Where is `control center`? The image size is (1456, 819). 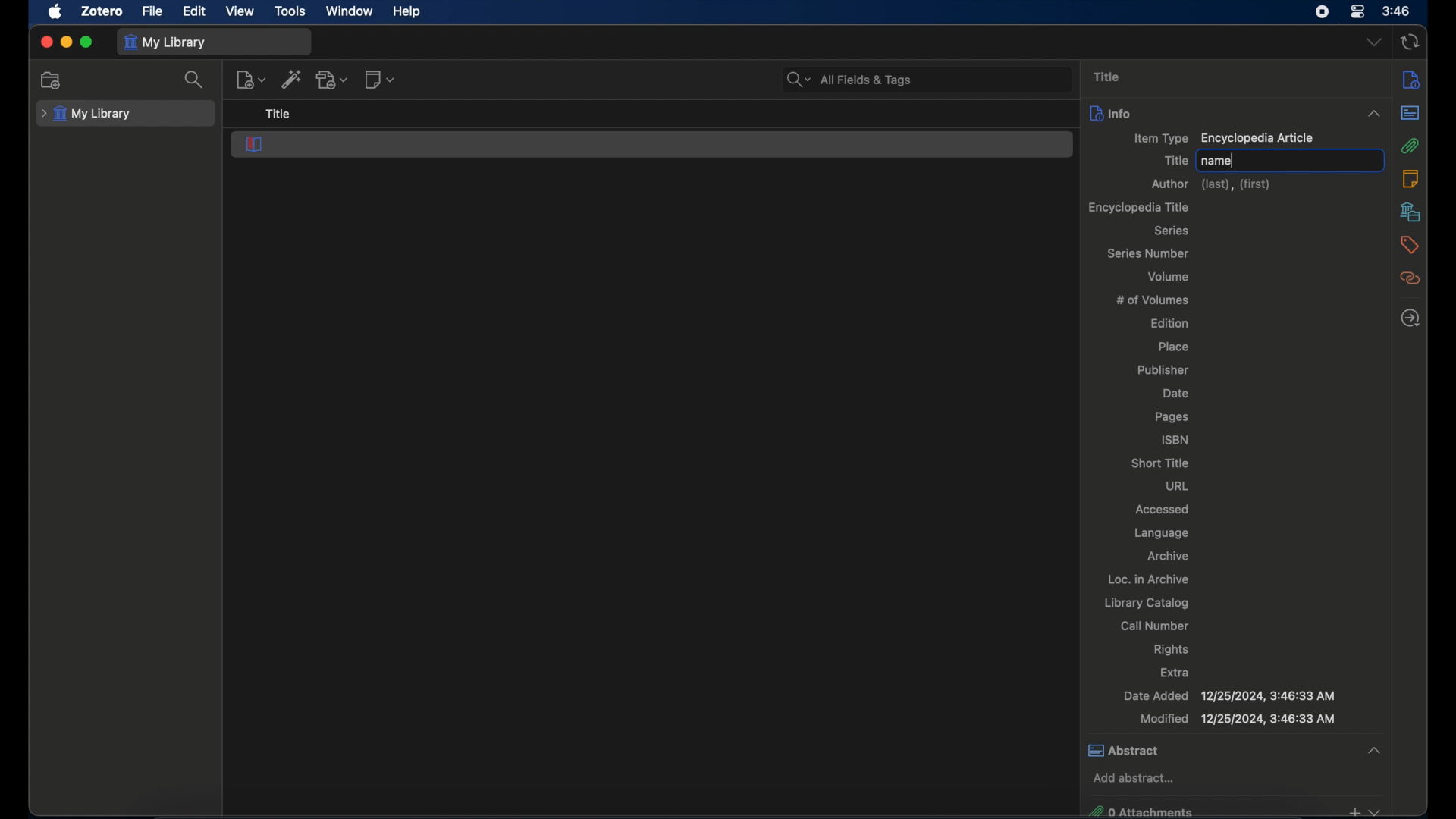
control center is located at coordinates (1357, 12).